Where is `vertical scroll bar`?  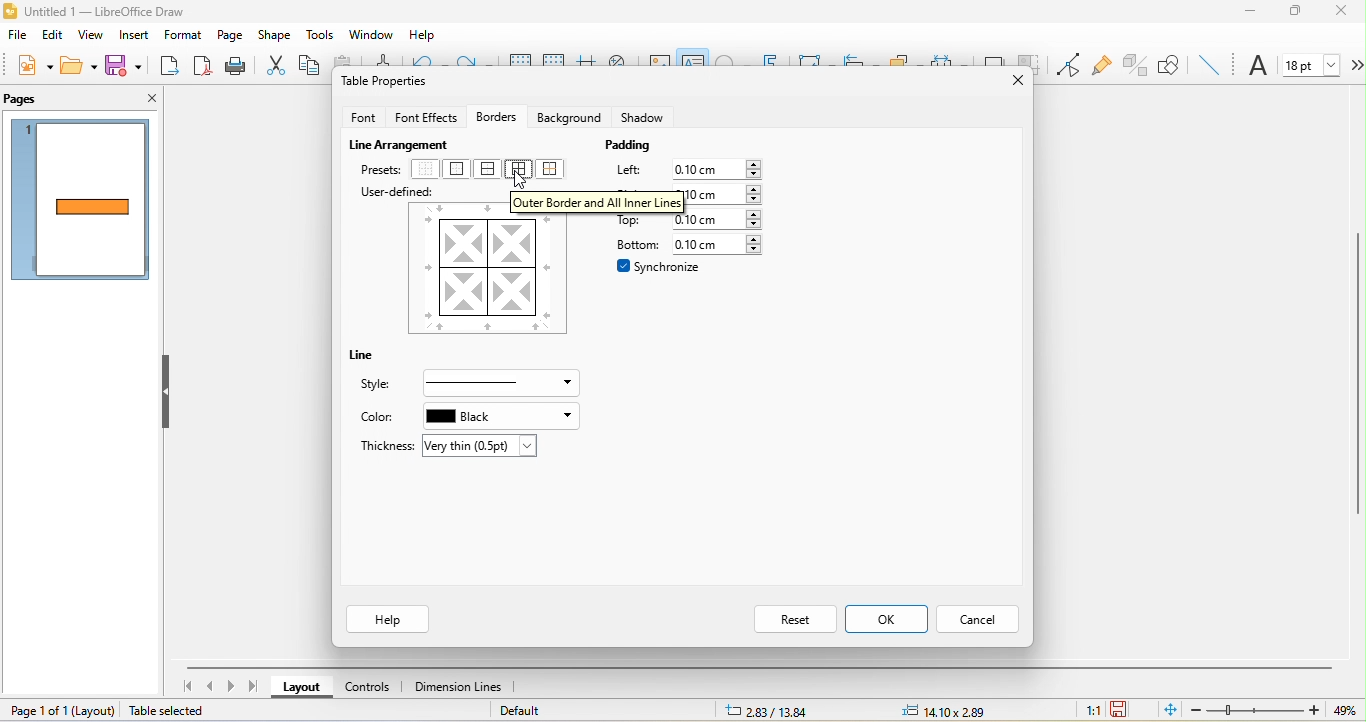
vertical scroll bar is located at coordinates (1357, 373).